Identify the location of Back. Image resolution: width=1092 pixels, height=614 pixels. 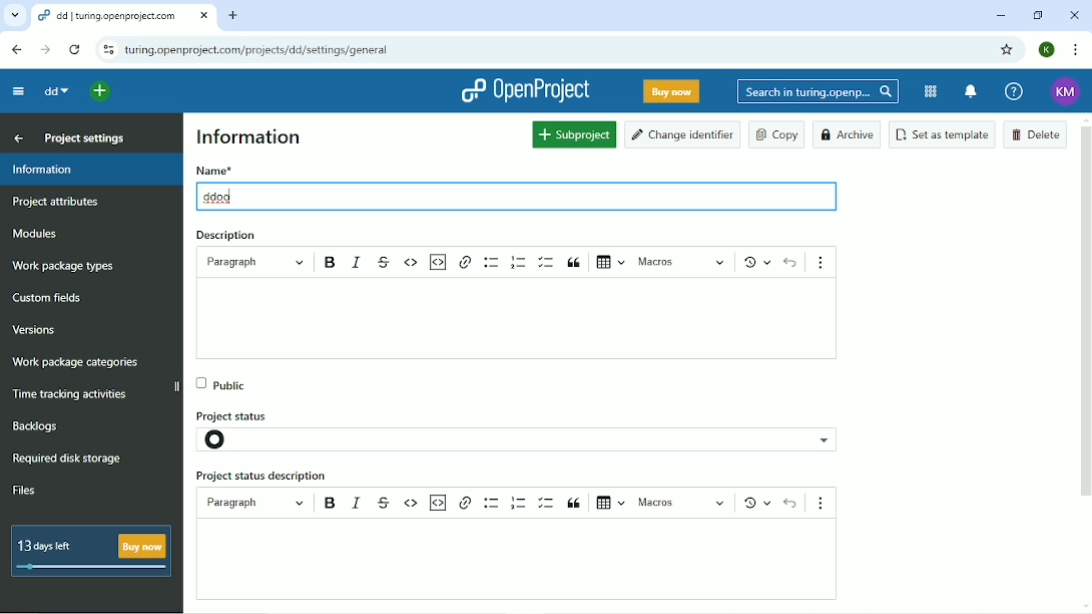
(16, 138).